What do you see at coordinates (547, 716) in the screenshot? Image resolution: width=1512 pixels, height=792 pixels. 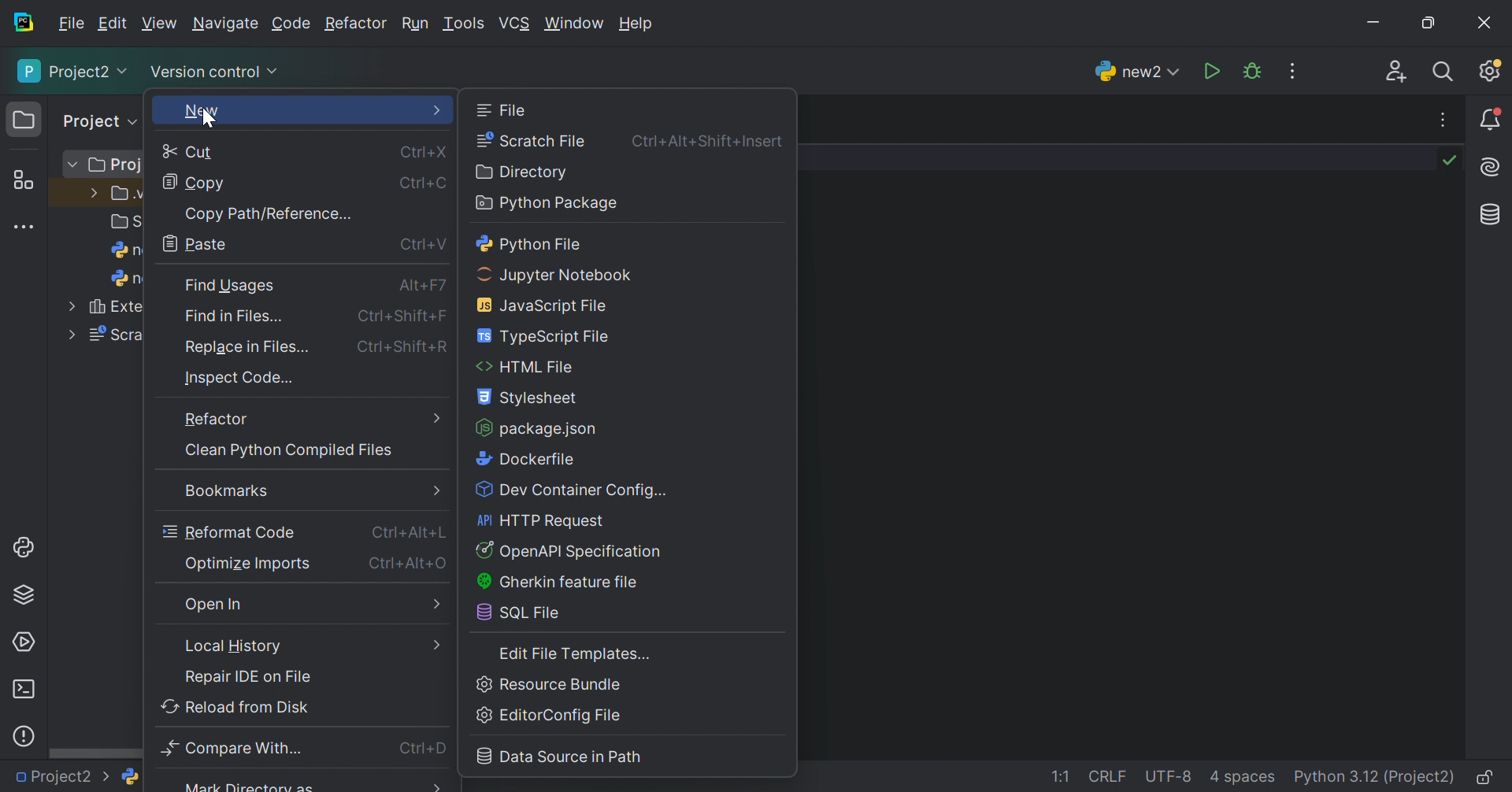 I see `EditorConfig File` at bounding box center [547, 716].